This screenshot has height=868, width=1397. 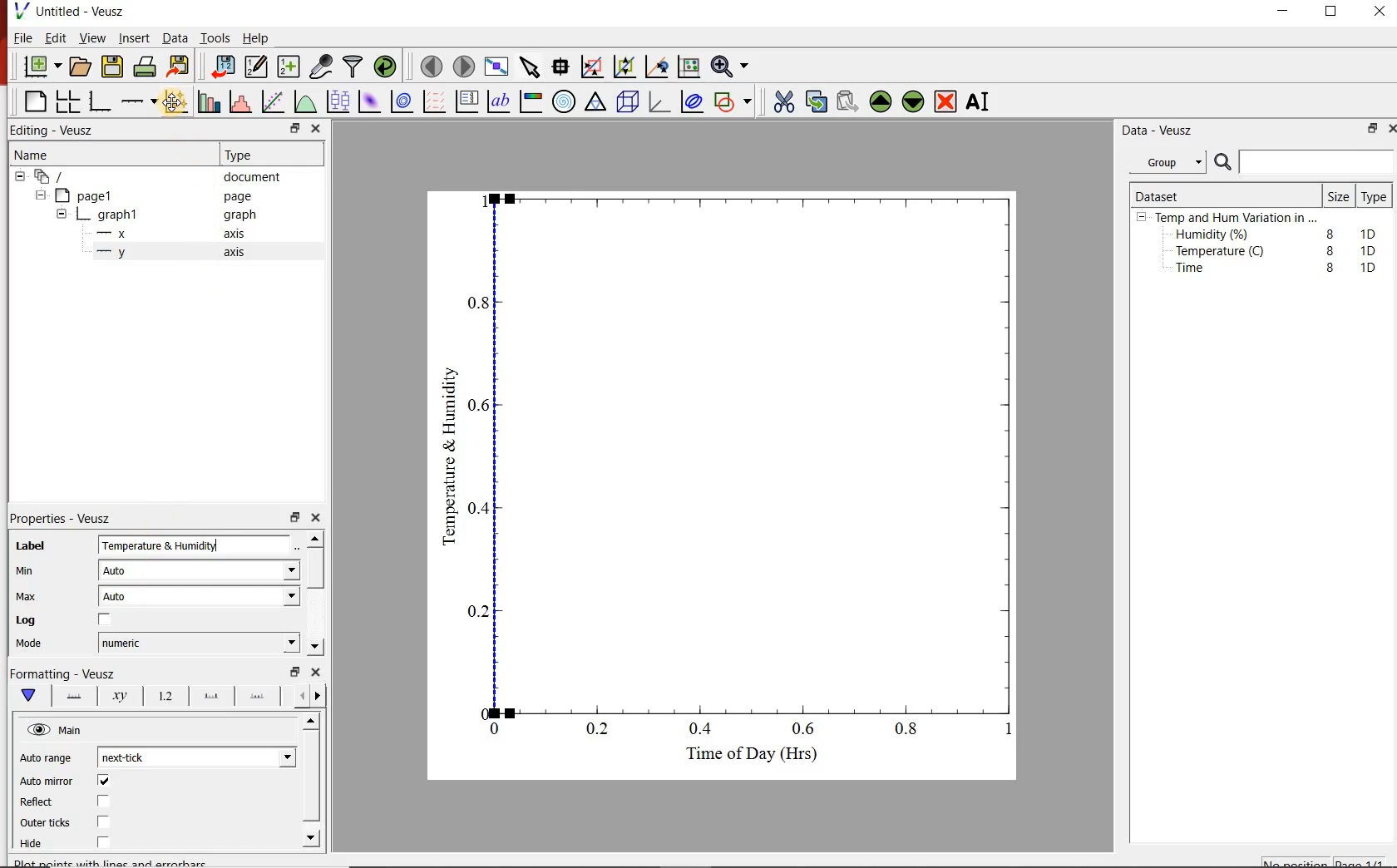 What do you see at coordinates (534, 101) in the screenshot?
I see `image color bar` at bounding box center [534, 101].